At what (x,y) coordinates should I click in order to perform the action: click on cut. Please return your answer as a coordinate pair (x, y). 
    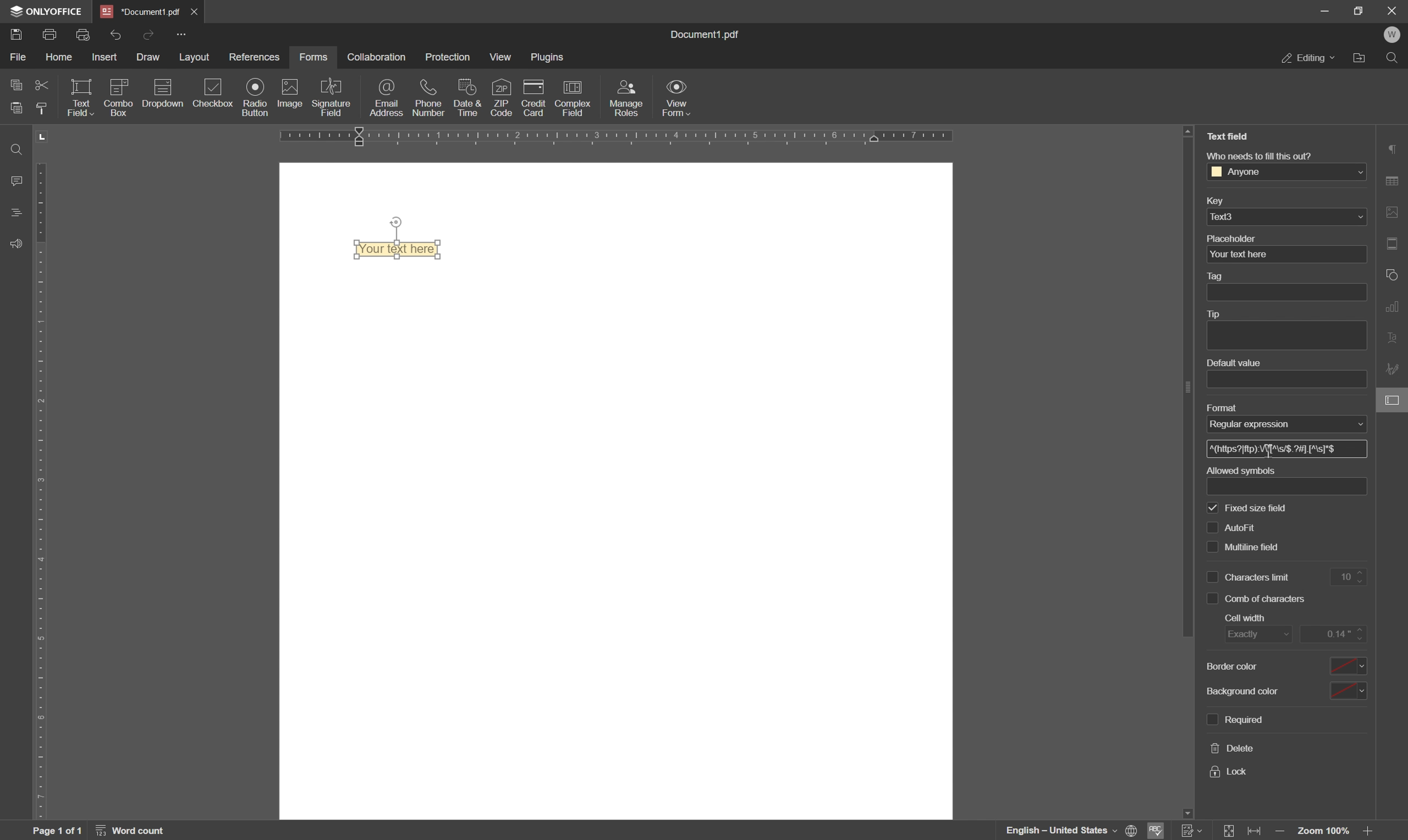
    Looking at the image, I should click on (41, 84).